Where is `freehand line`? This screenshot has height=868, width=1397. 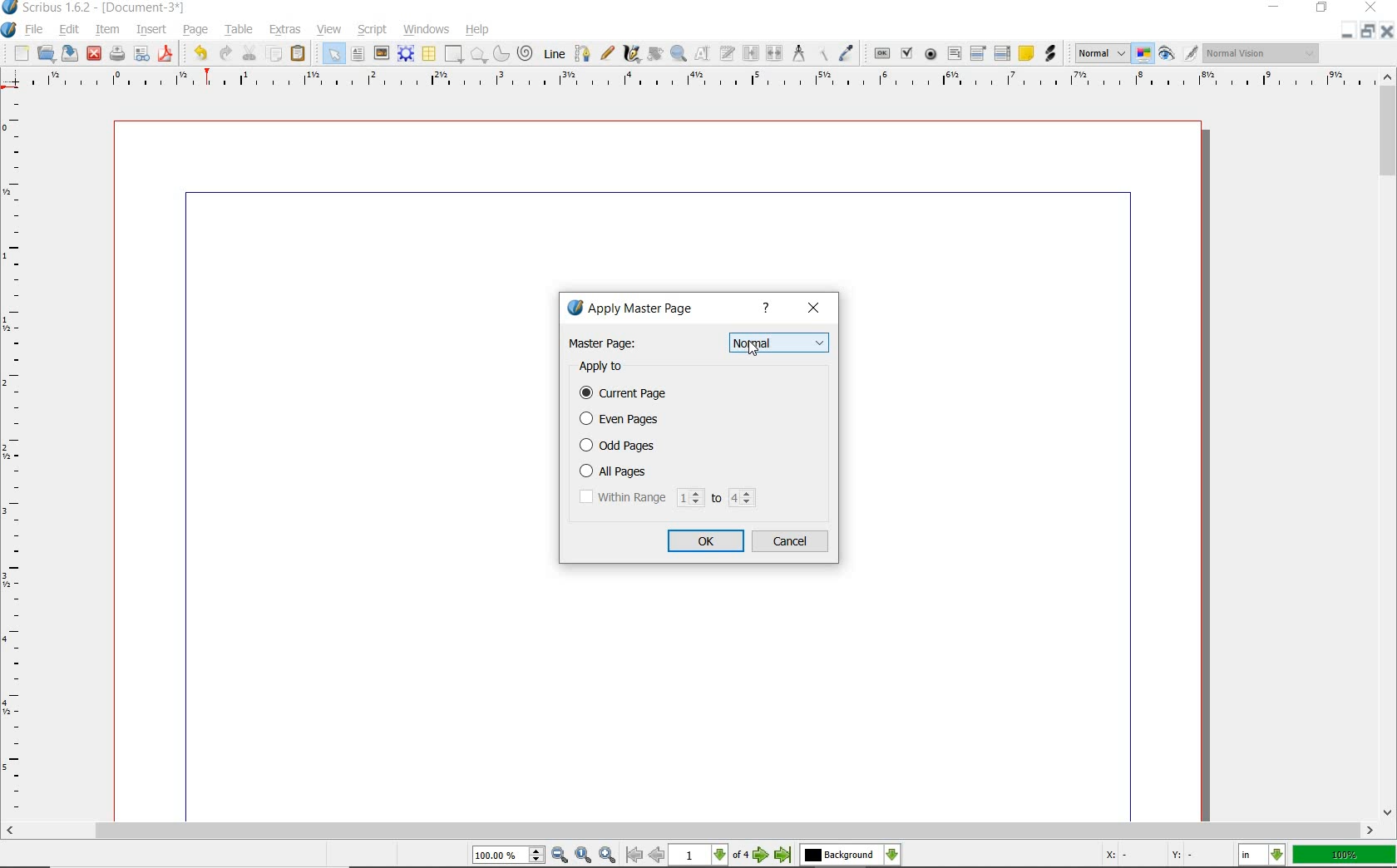 freehand line is located at coordinates (607, 53).